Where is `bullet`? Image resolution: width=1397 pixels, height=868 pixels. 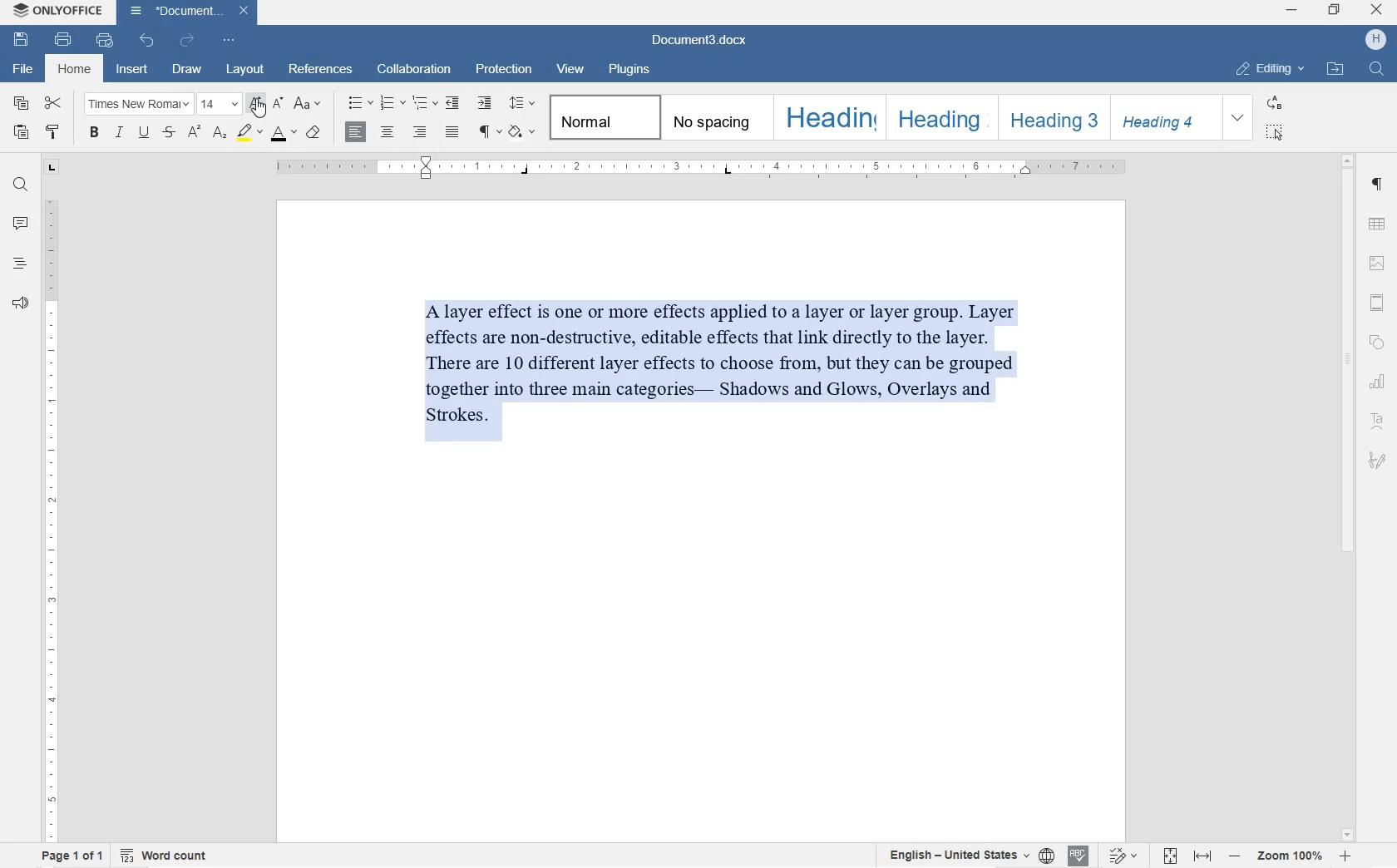
bullet is located at coordinates (360, 101).